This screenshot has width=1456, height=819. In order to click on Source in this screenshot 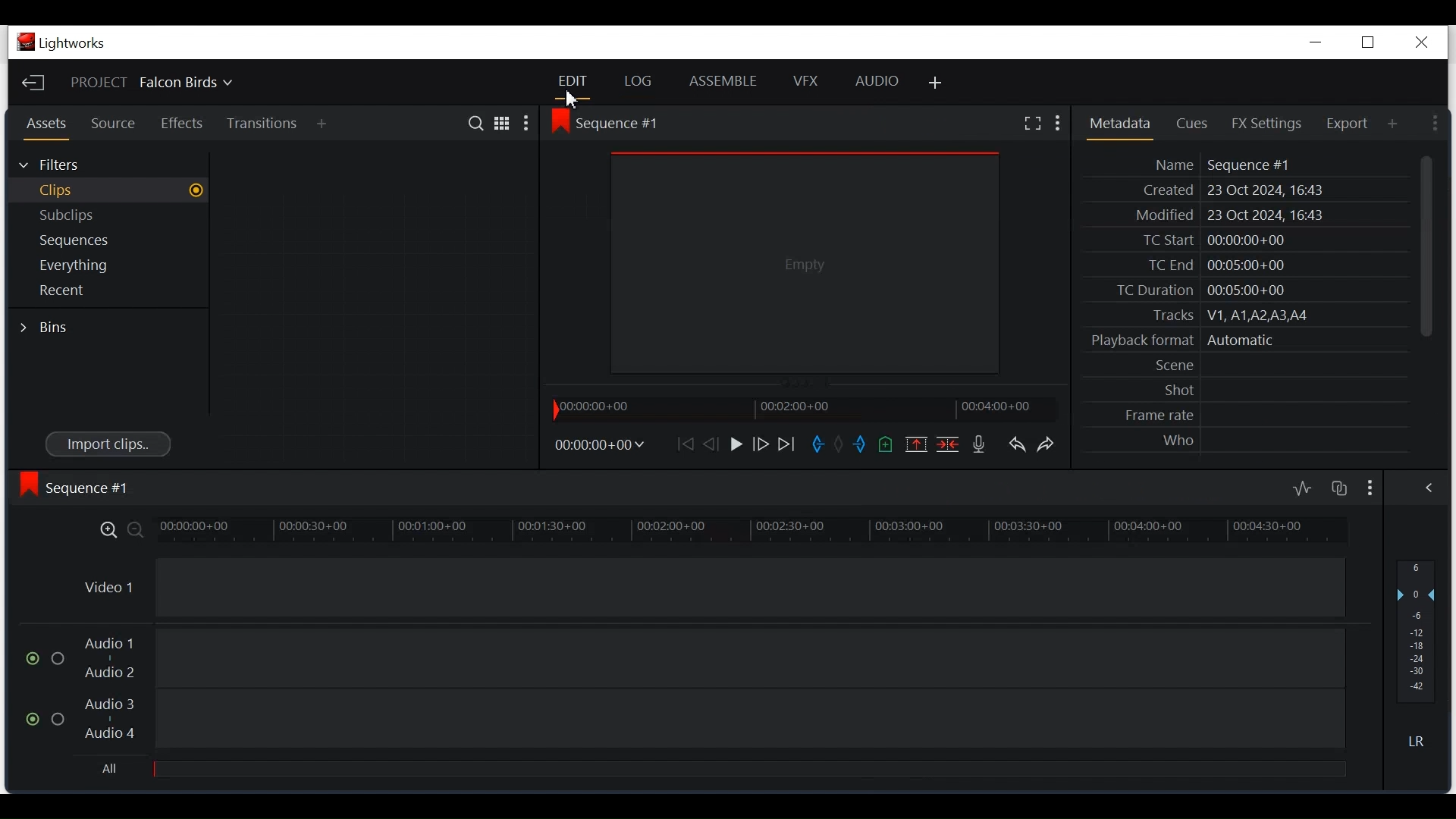, I will do `click(115, 122)`.